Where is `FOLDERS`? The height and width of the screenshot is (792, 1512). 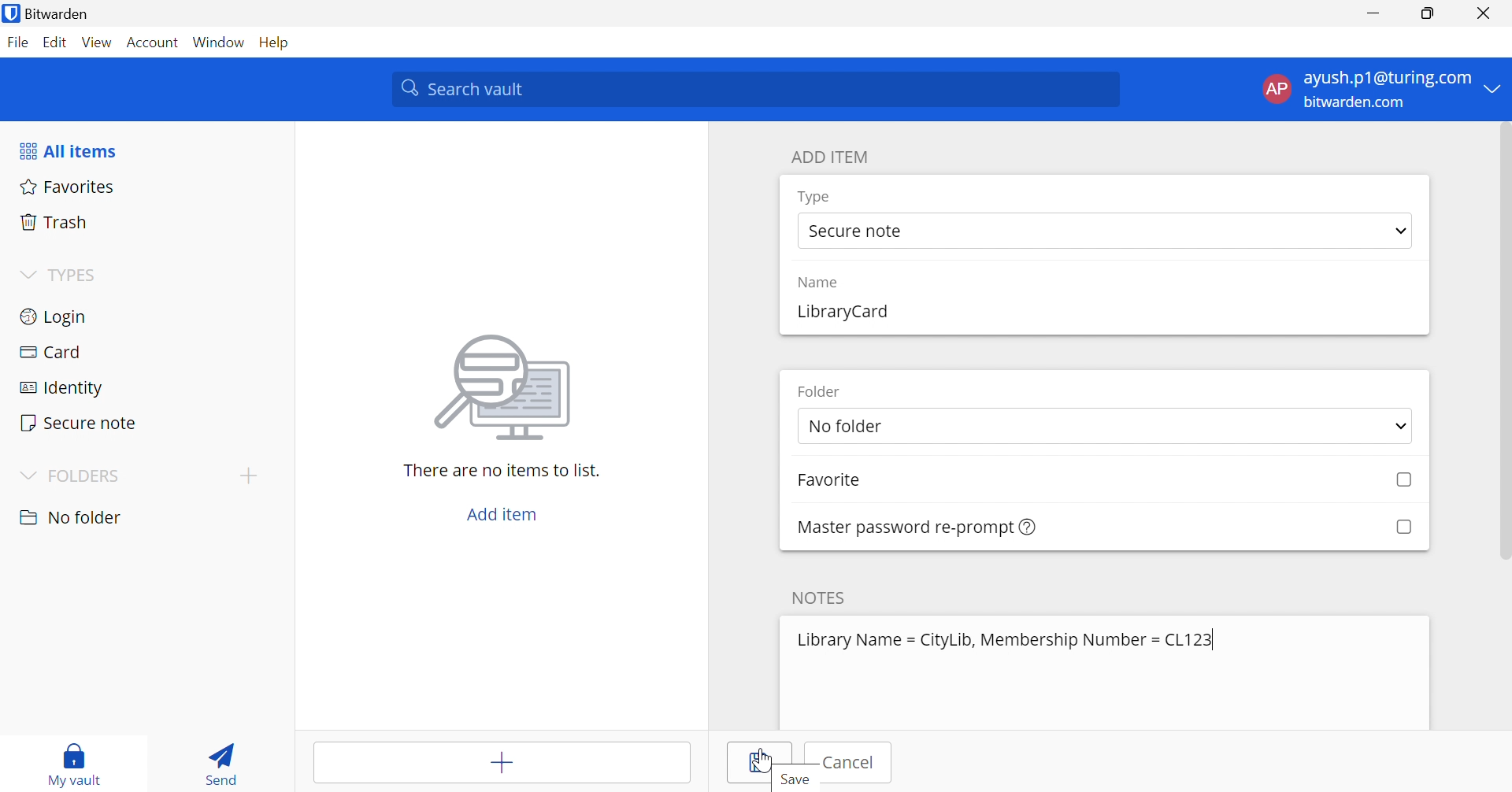
FOLDERS is located at coordinates (72, 476).